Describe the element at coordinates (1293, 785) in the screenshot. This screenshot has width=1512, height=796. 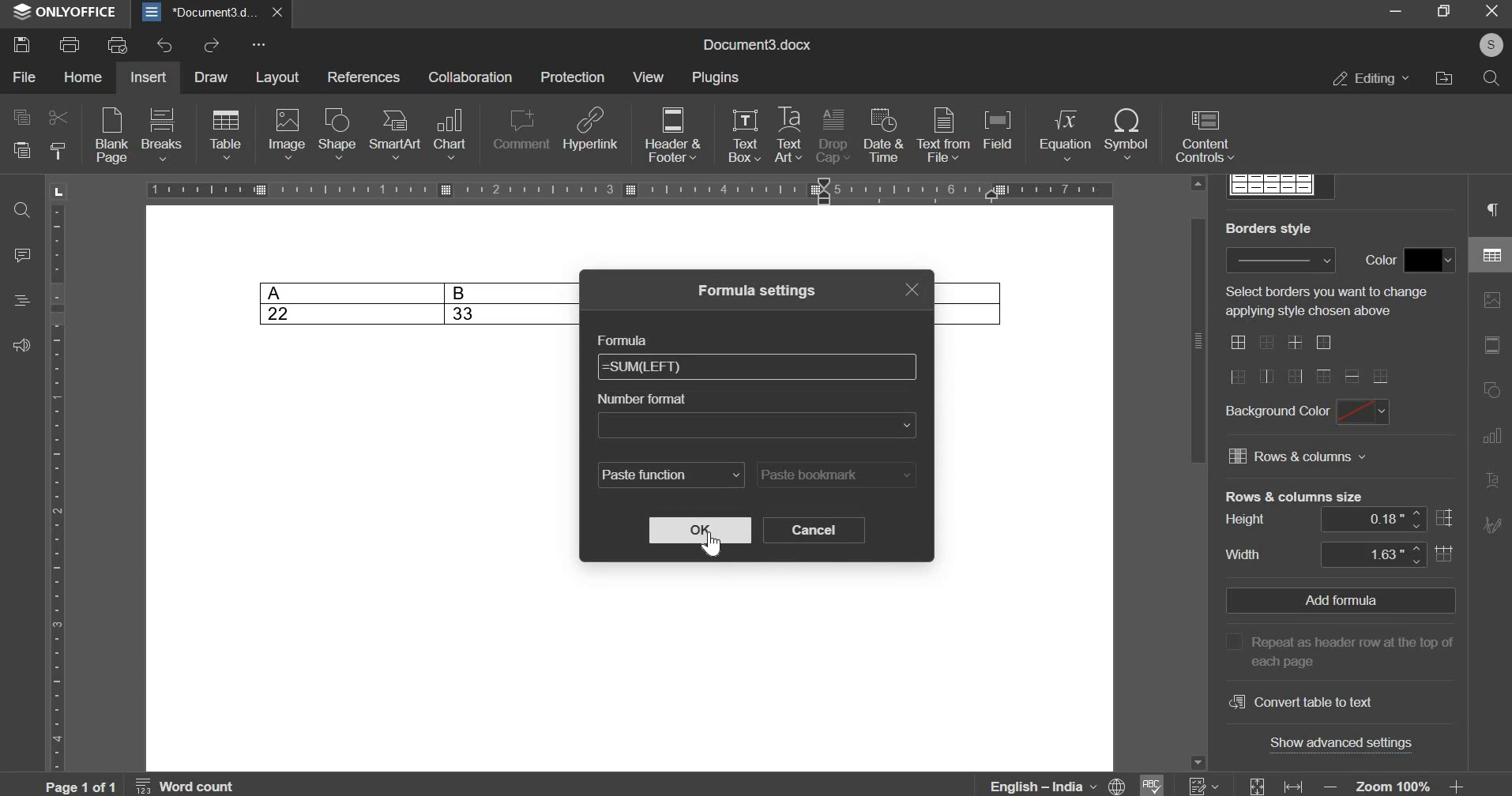
I see `fit to width` at that location.